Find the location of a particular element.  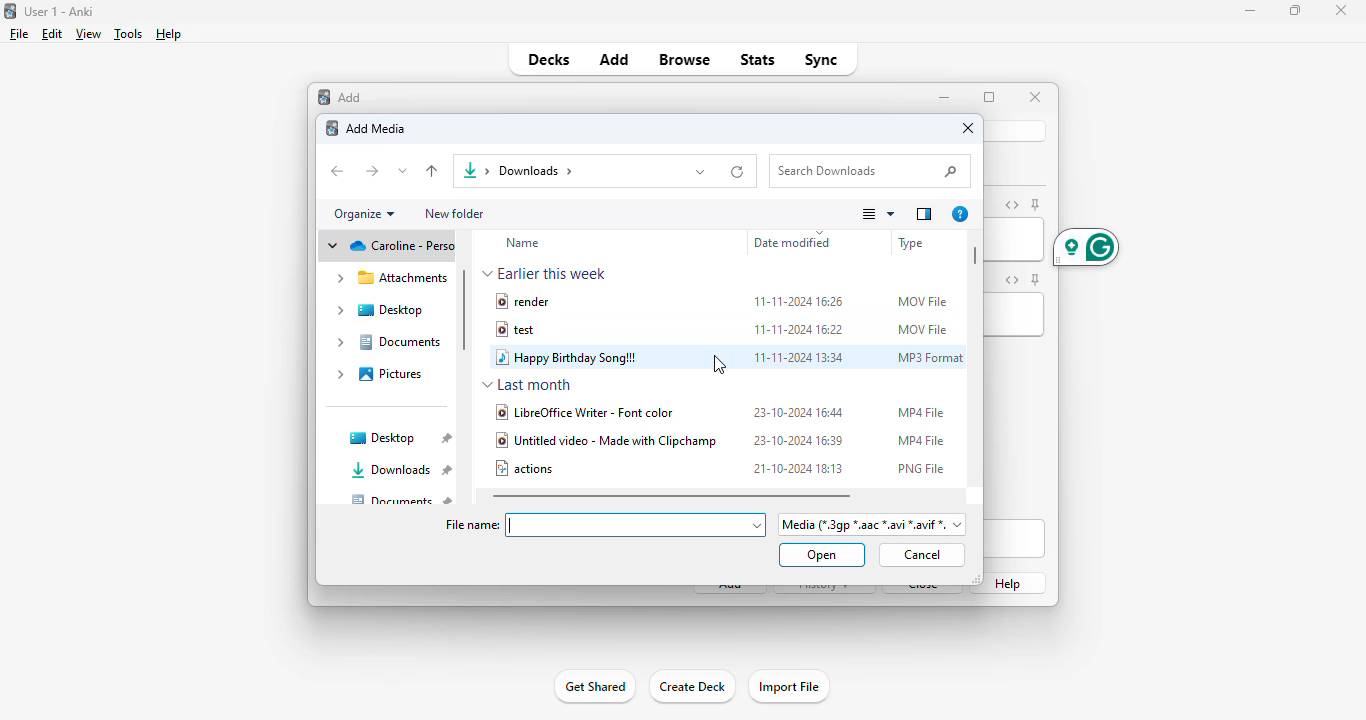

get shared is located at coordinates (594, 687).